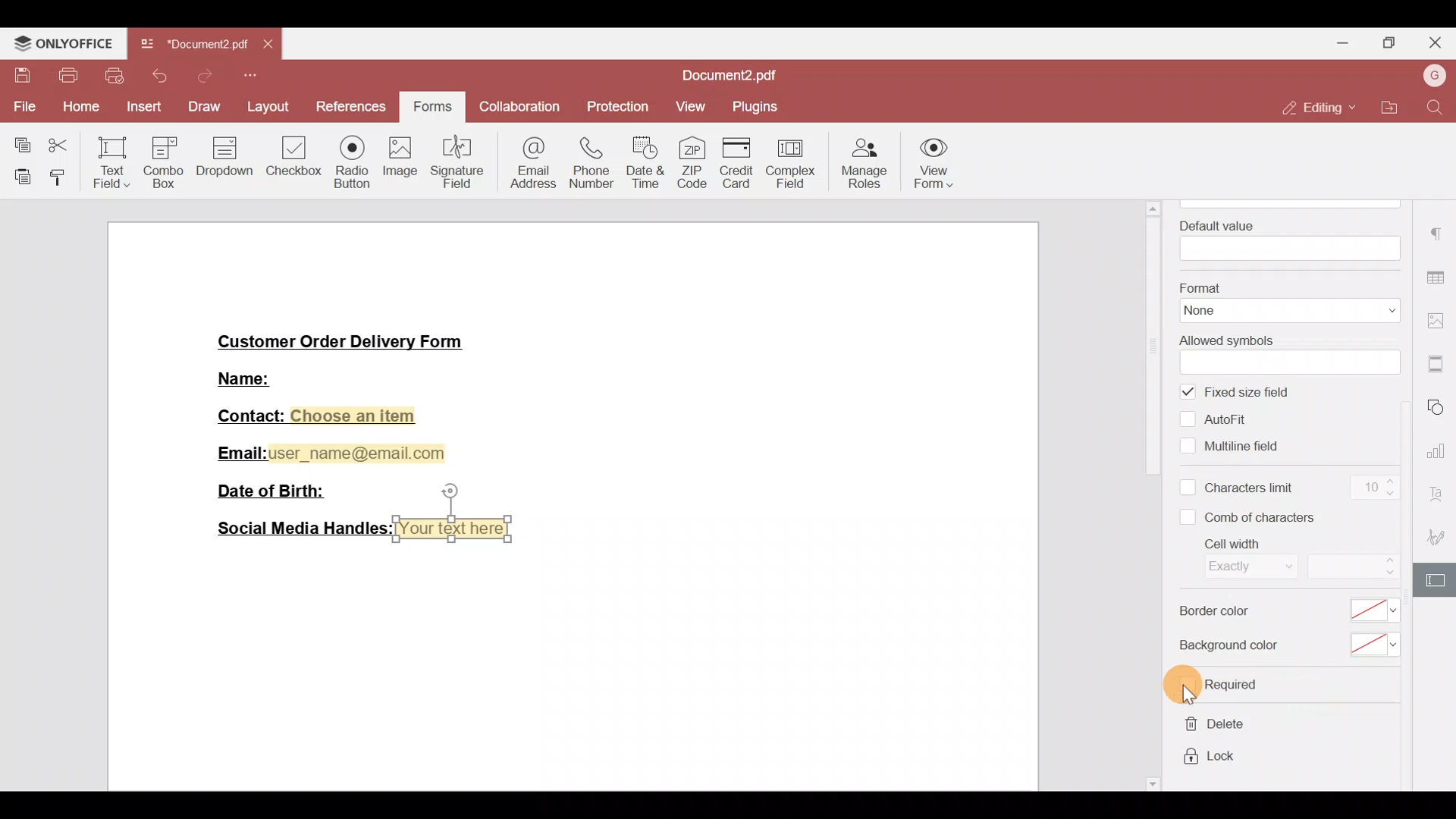  Describe the element at coordinates (568, 667) in the screenshot. I see `Working area` at that location.